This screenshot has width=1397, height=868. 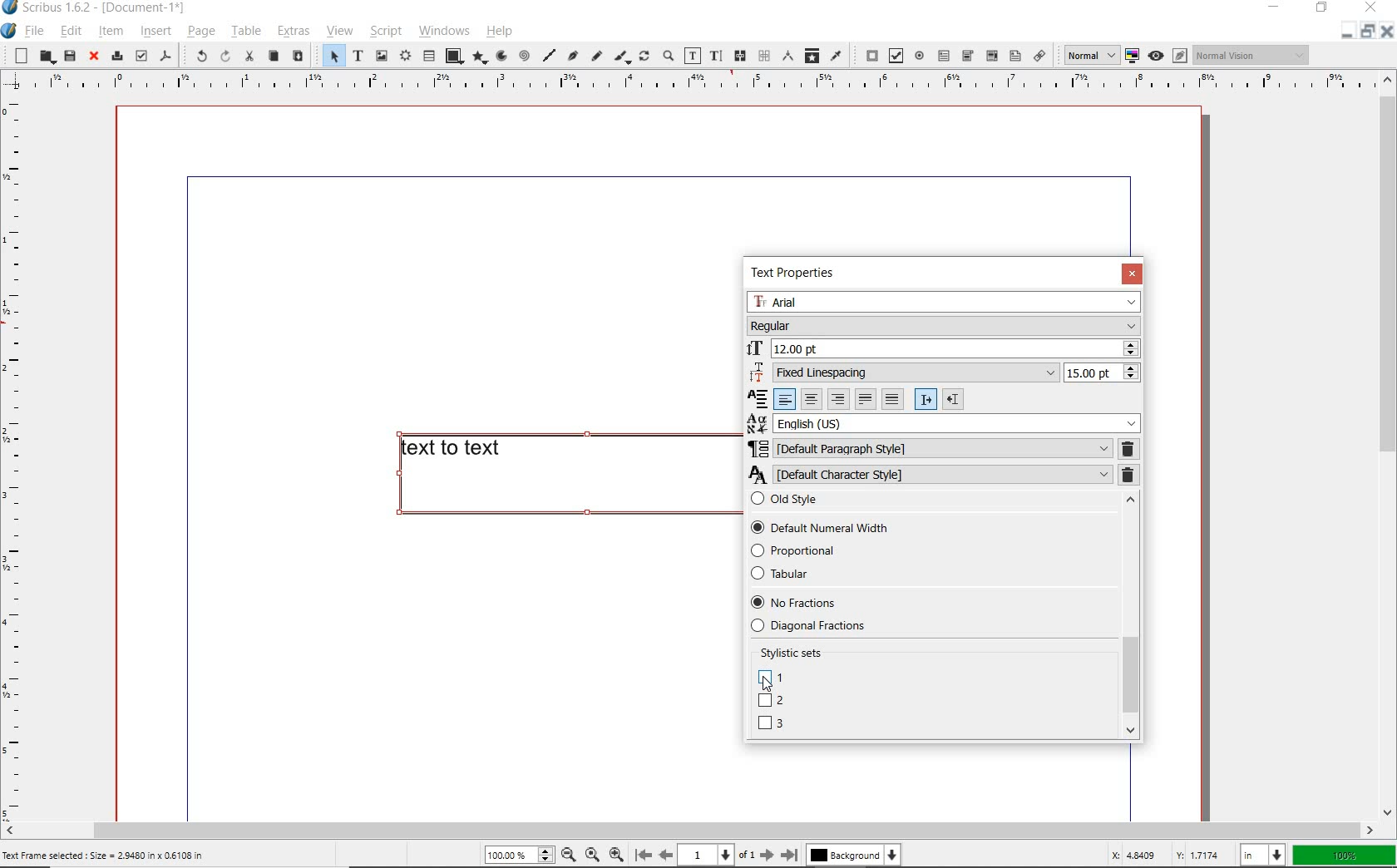 What do you see at coordinates (445, 32) in the screenshot?
I see `windows` at bounding box center [445, 32].